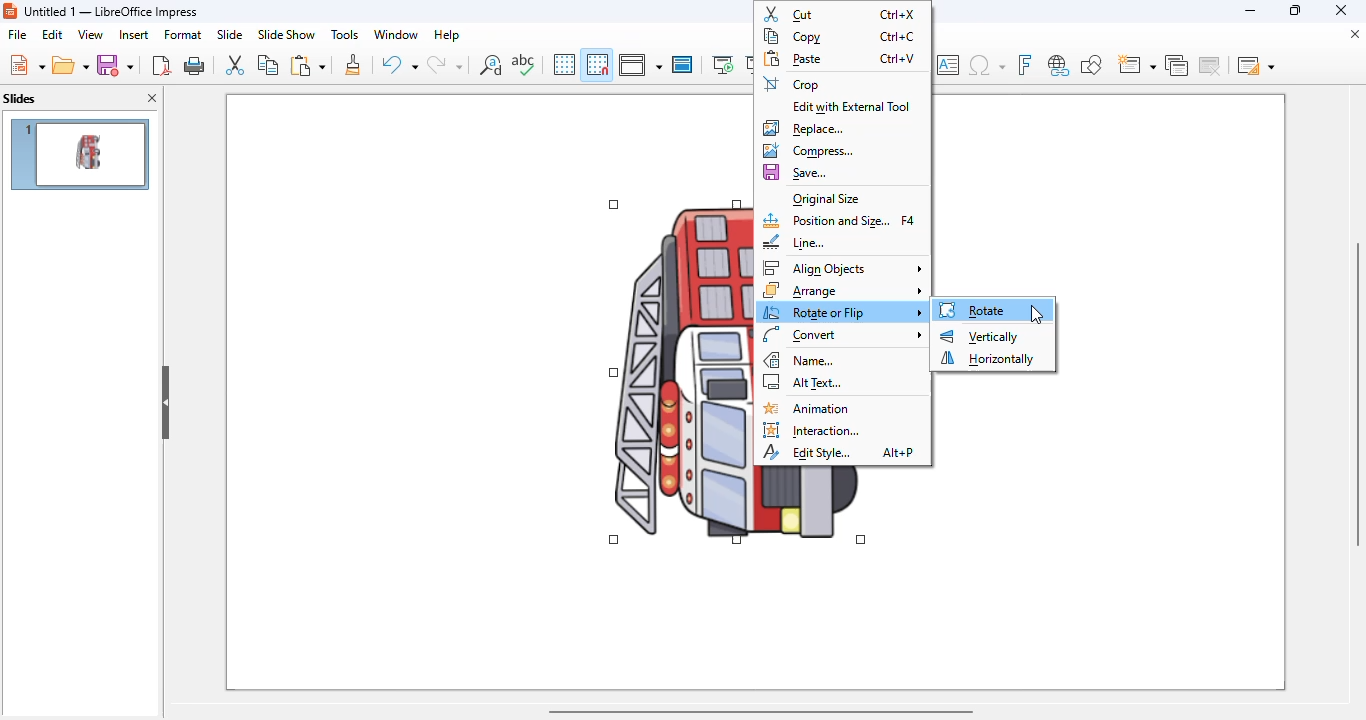 Image resolution: width=1366 pixels, height=720 pixels. Describe the element at coordinates (444, 64) in the screenshot. I see `redo` at that location.